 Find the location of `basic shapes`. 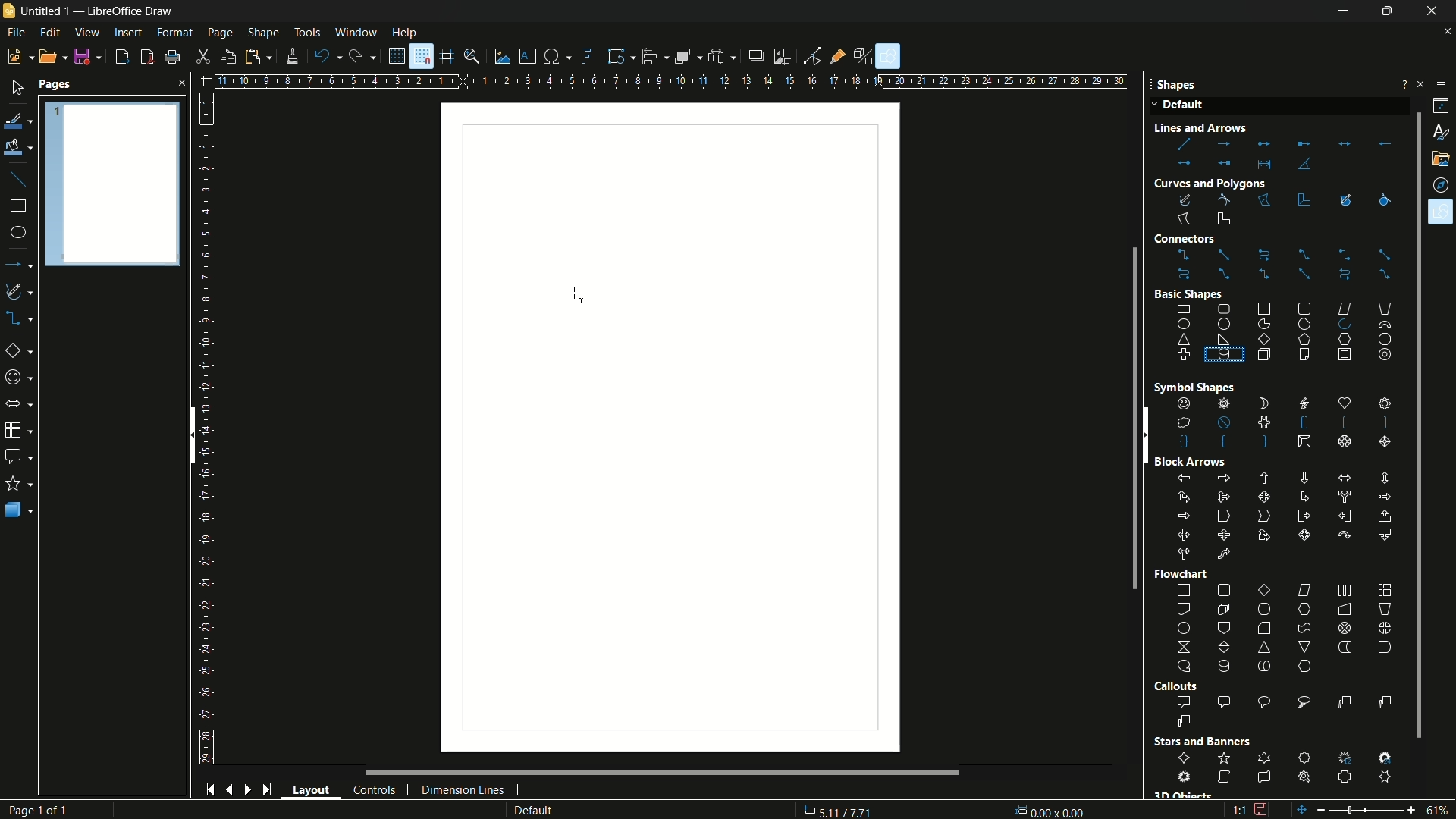

basic shapes is located at coordinates (23, 350).